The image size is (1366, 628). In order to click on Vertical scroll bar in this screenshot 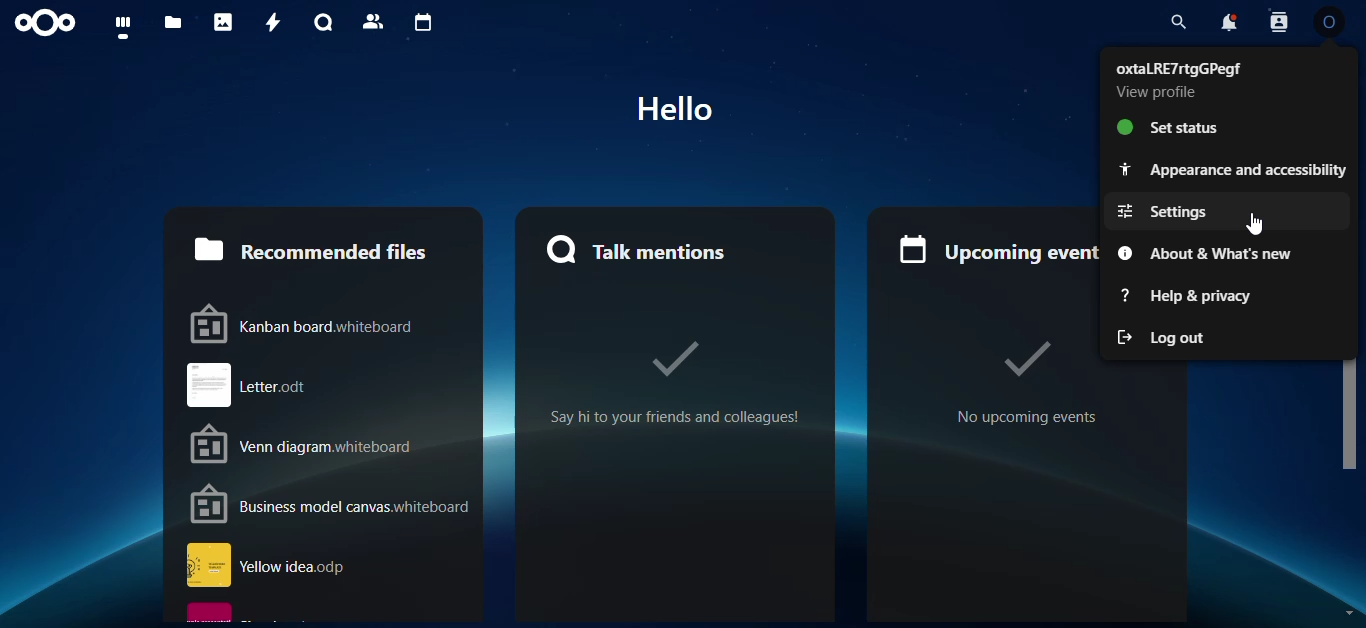, I will do `click(1351, 415)`.